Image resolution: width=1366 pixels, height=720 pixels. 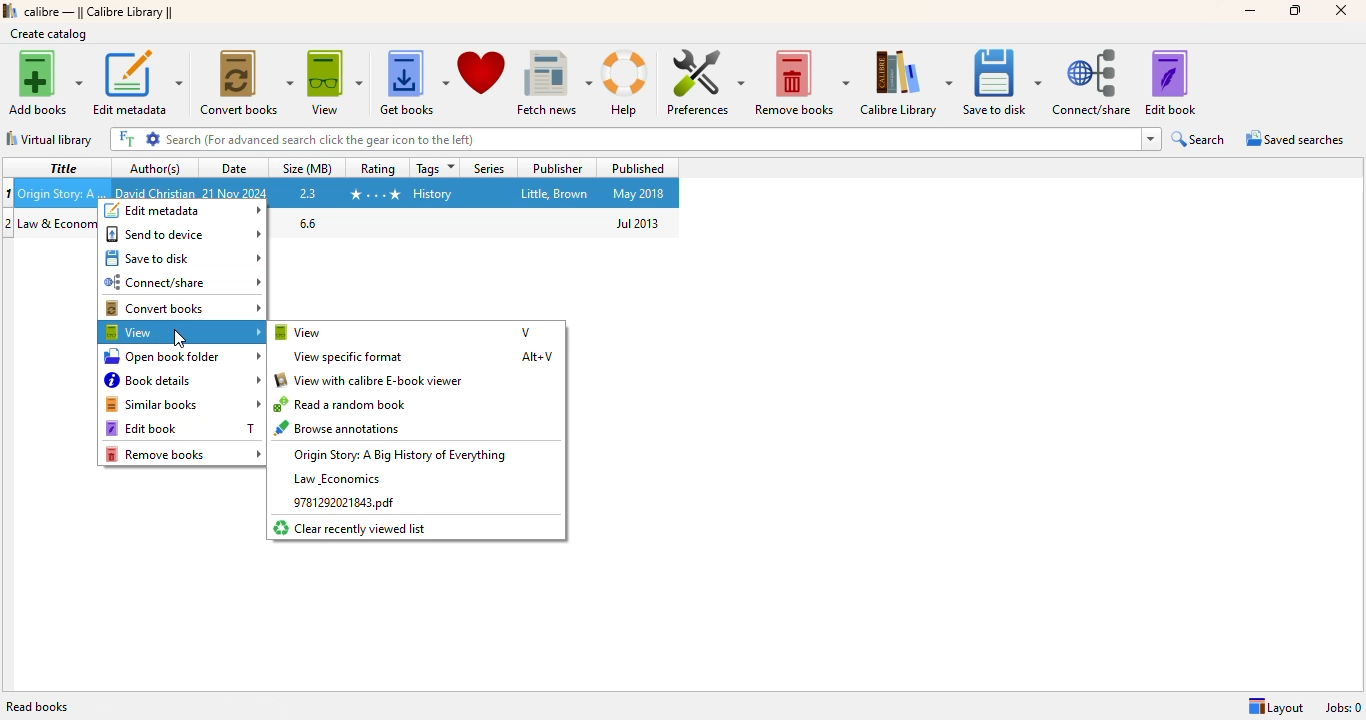 I want to click on open book folder, so click(x=182, y=356).